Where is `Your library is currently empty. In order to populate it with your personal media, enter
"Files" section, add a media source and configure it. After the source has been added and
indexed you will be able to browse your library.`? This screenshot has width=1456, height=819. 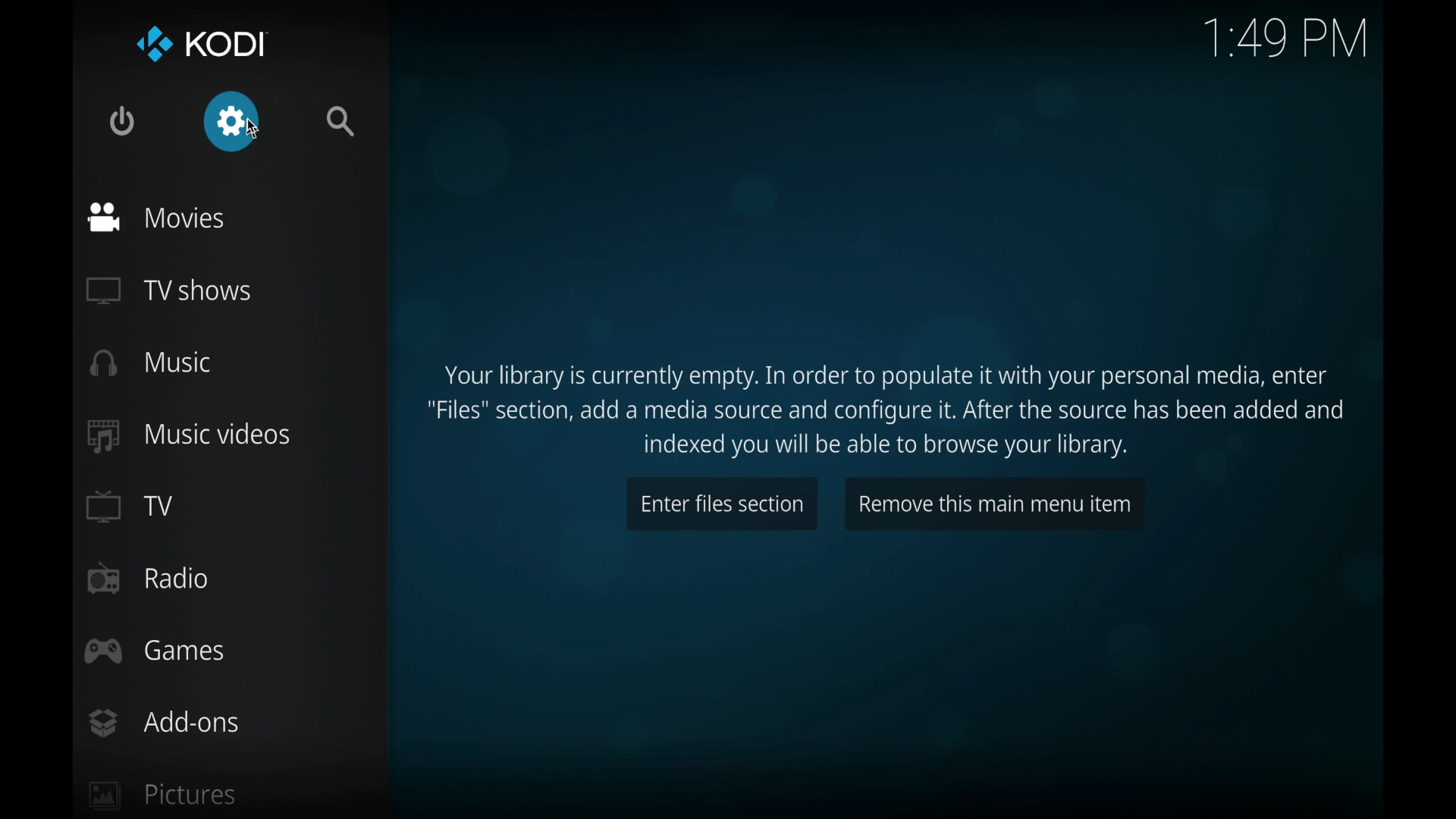
Your library is currently empty. In order to populate it with your personal media, enter
"Files" section, add a media source and configure it. After the source has been added and
indexed you will be able to browse your library. is located at coordinates (892, 411).